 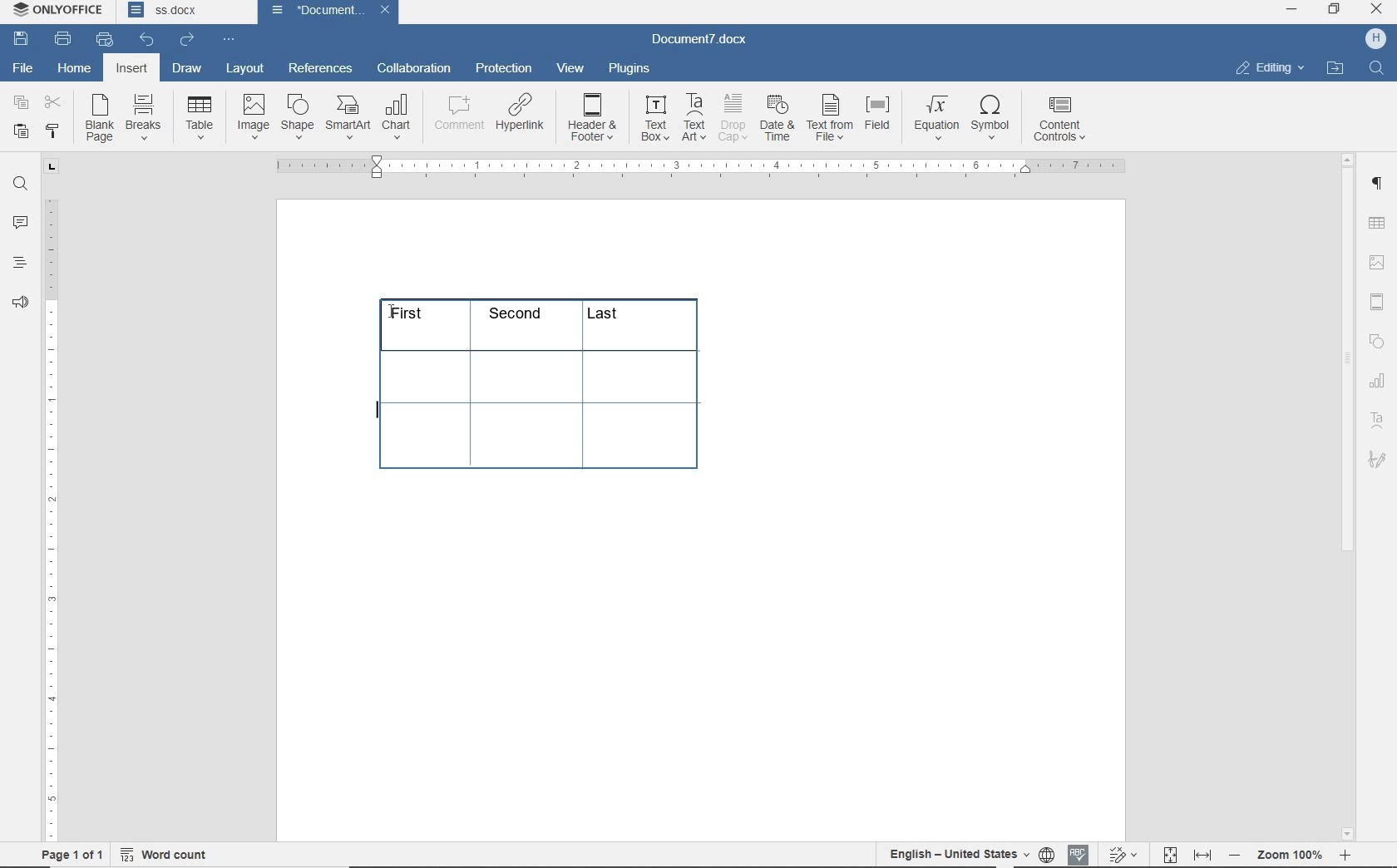 I want to click on header & footer, so click(x=593, y=118).